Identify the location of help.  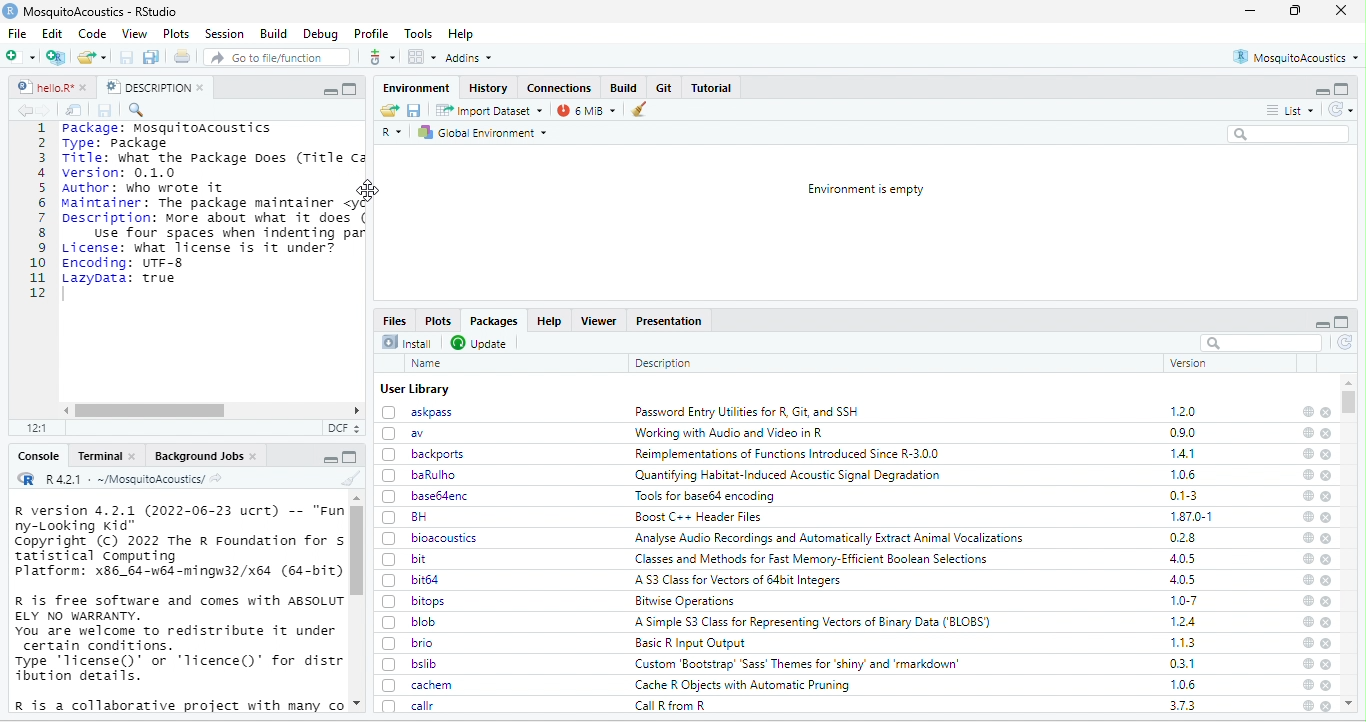
(1307, 664).